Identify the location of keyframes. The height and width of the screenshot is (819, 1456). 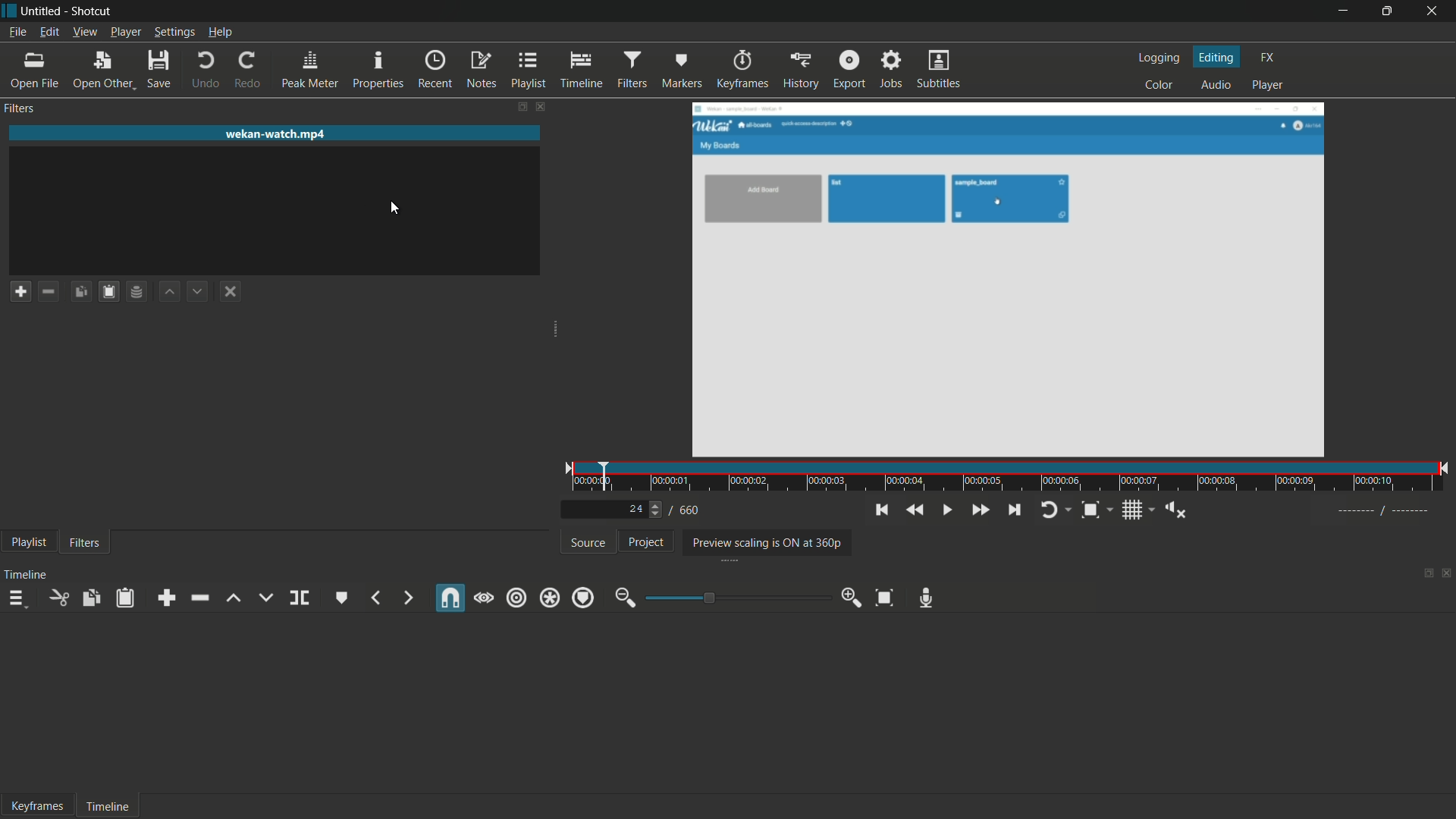
(743, 69).